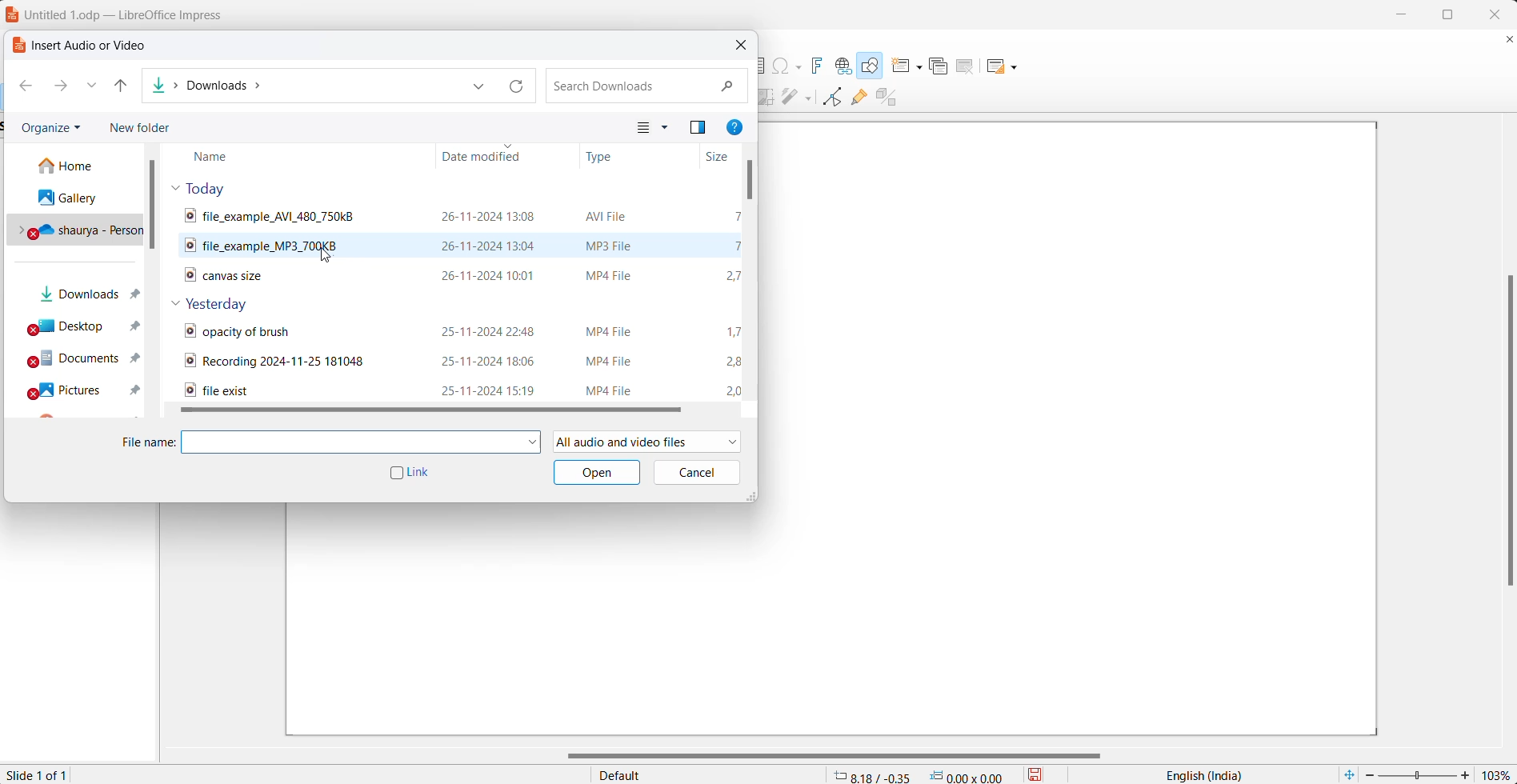  What do you see at coordinates (238, 277) in the screenshot?
I see `video file name` at bounding box center [238, 277].